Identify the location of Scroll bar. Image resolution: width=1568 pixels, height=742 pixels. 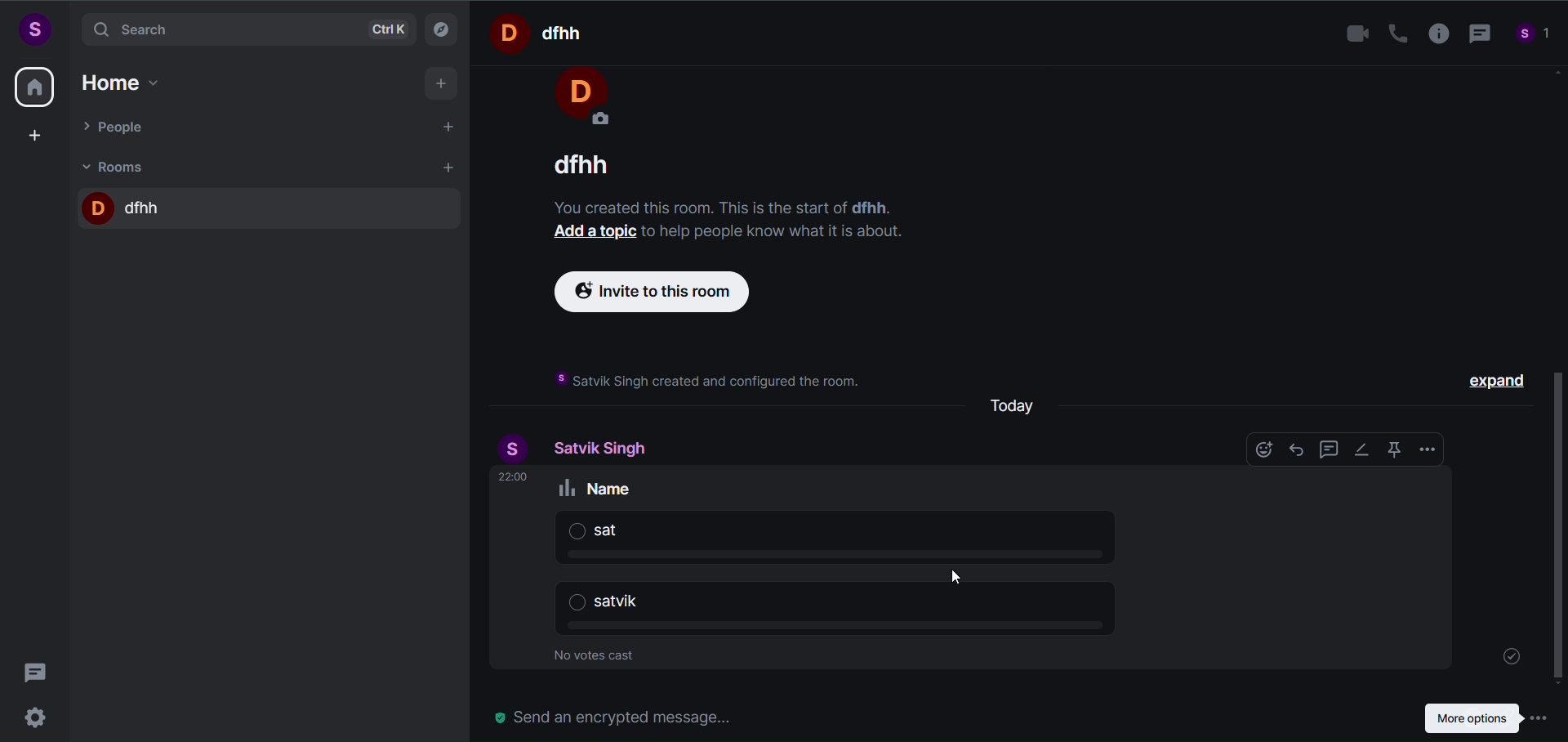
(1558, 378).